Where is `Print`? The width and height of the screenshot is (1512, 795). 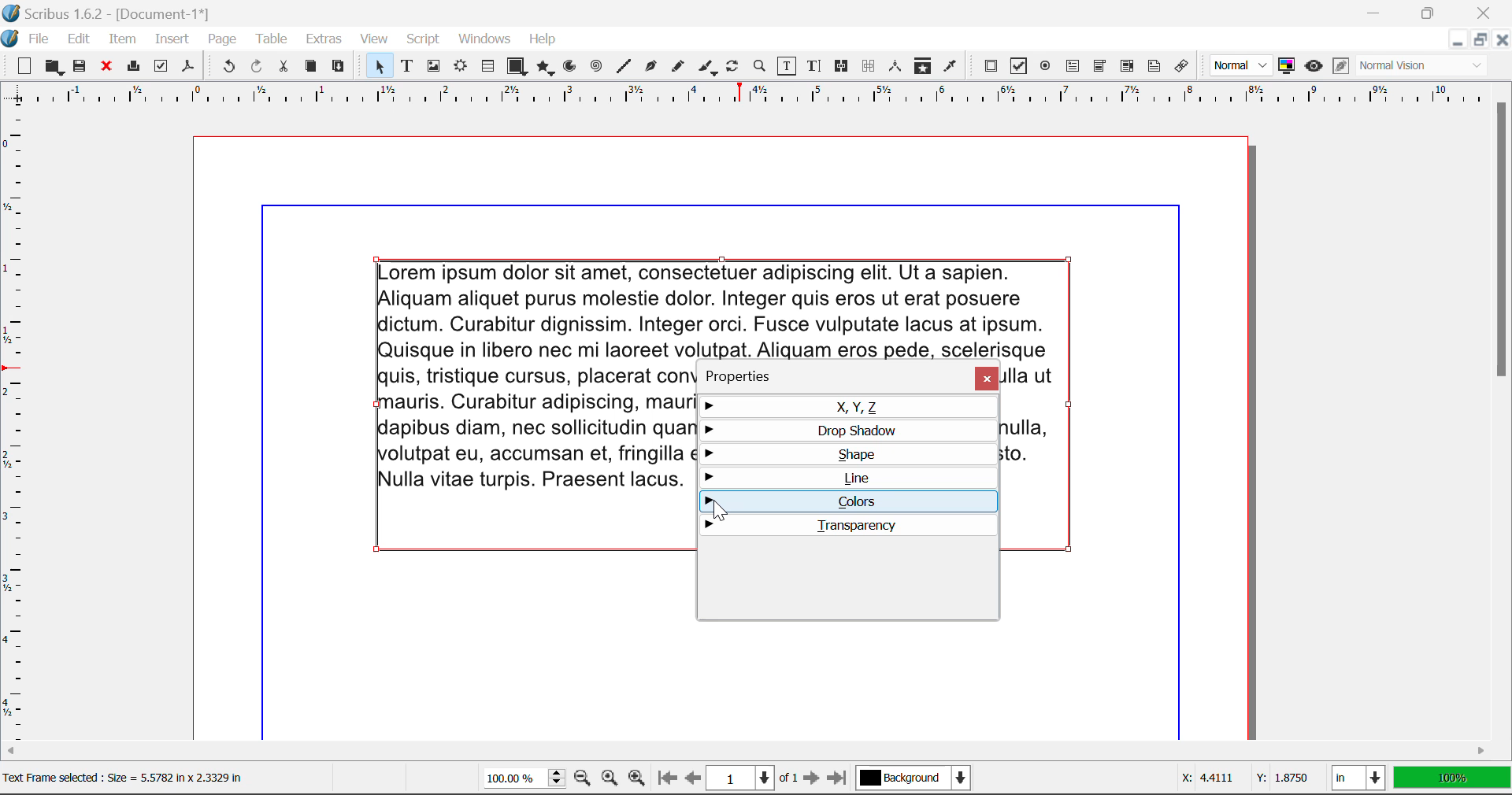
Print is located at coordinates (132, 66).